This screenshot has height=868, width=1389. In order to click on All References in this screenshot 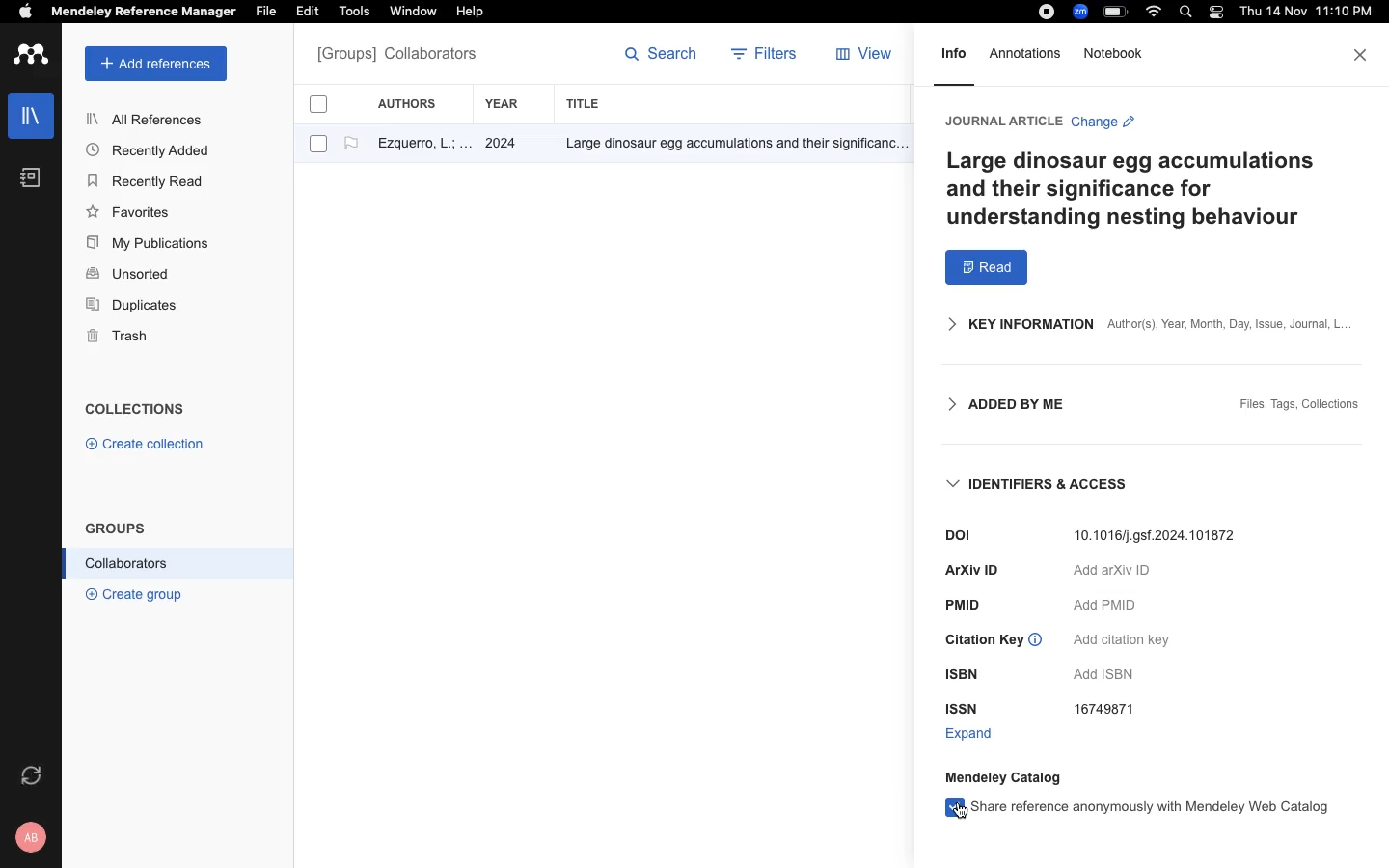, I will do `click(148, 119)`.